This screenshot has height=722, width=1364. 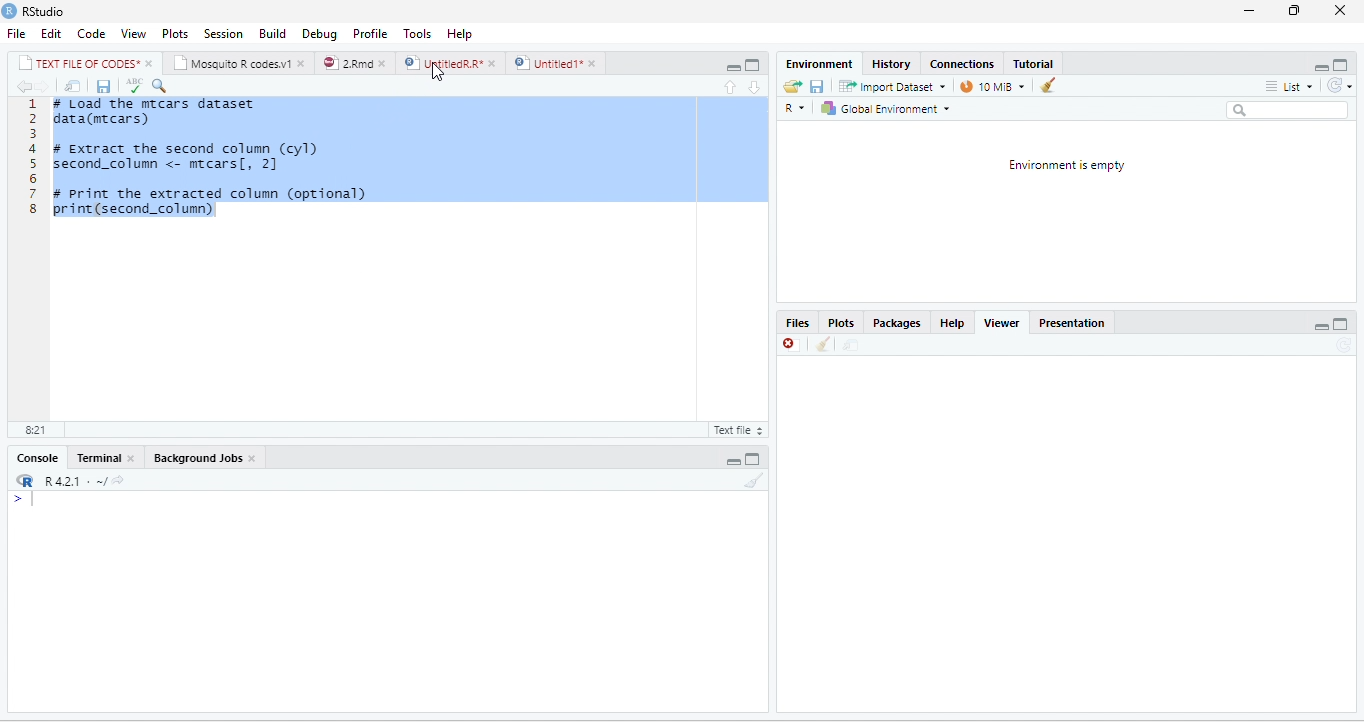 What do you see at coordinates (458, 32) in the screenshot?
I see `help` at bounding box center [458, 32].